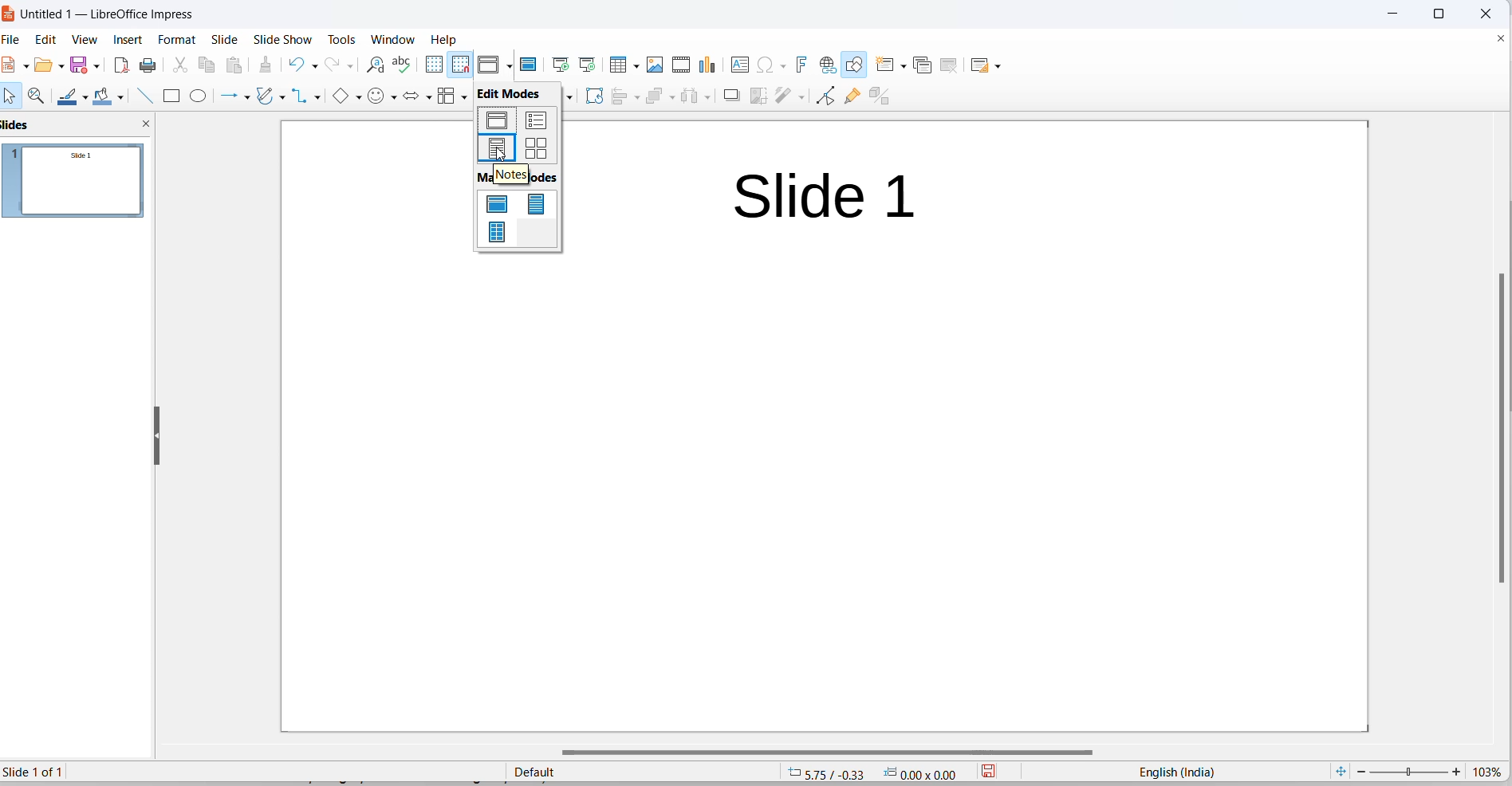  I want to click on block arrows options, so click(428, 96).